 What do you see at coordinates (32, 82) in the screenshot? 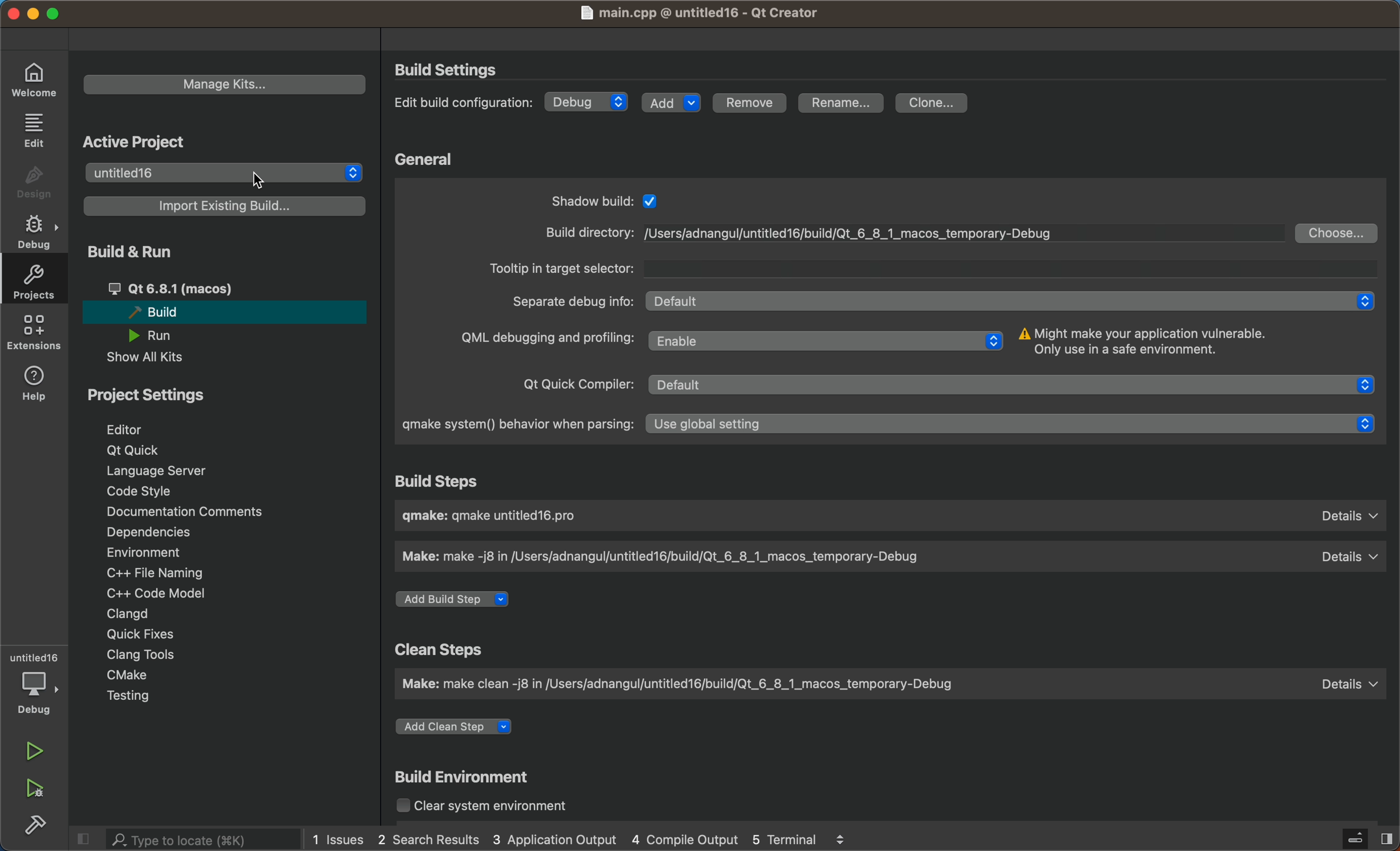
I see `welocme` at bounding box center [32, 82].